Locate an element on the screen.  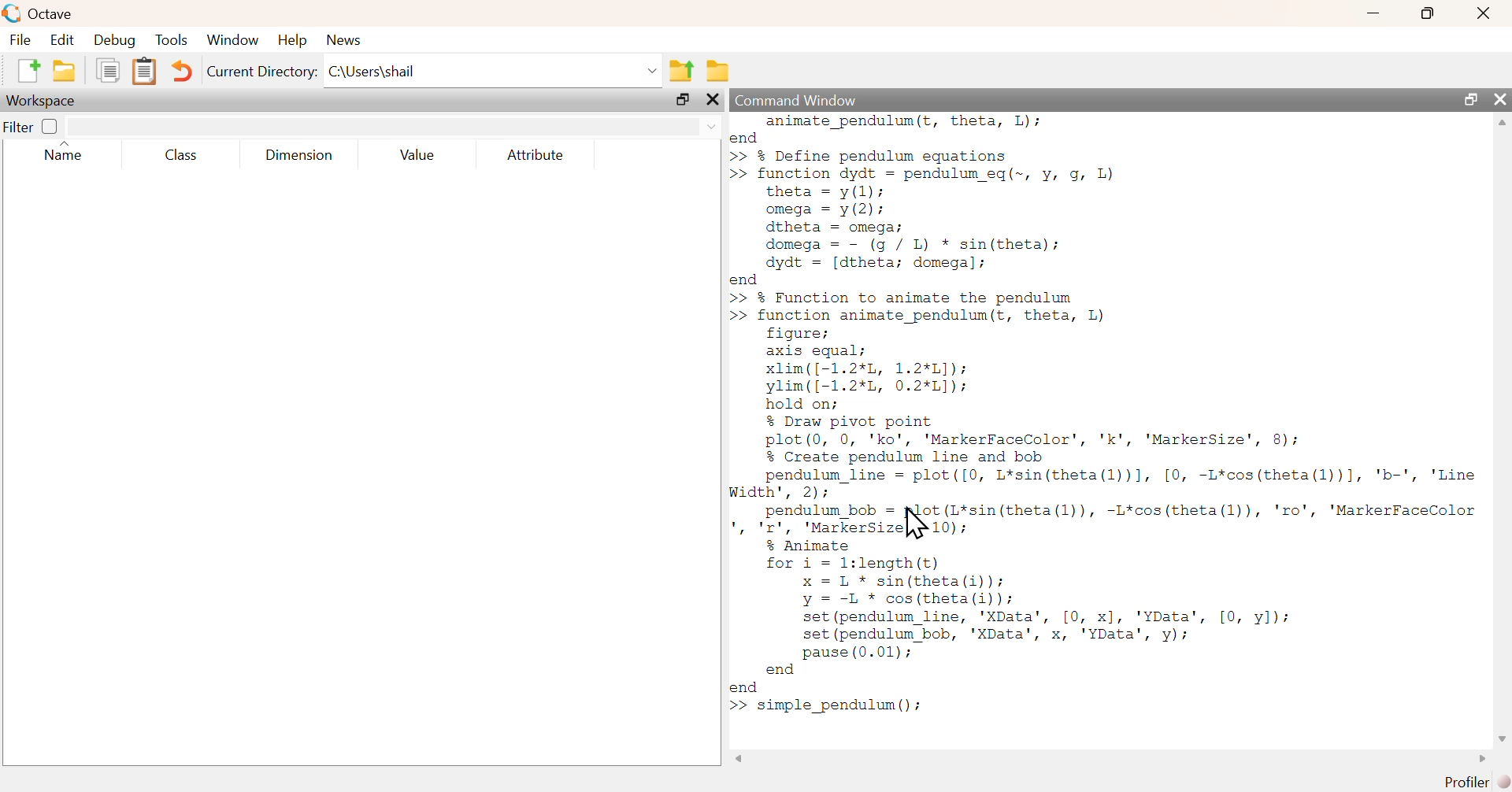
Close is located at coordinates (1500, 99).